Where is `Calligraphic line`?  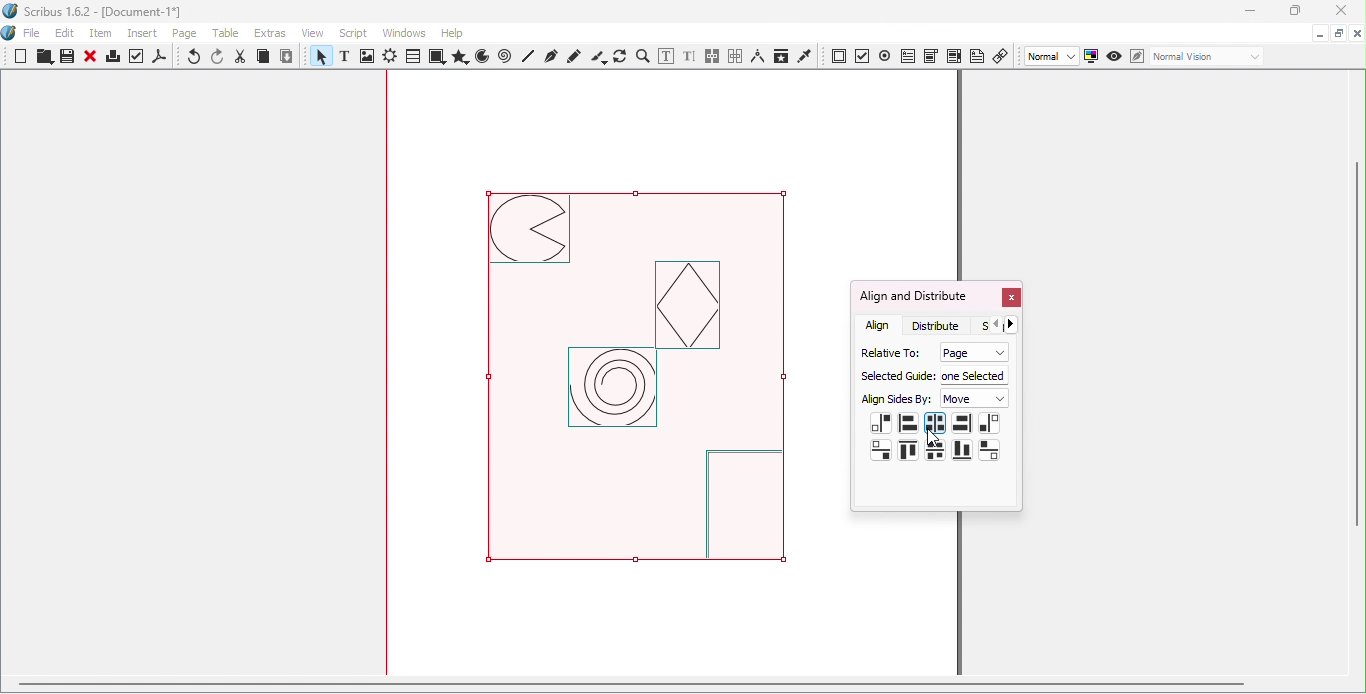
Calligraphic line is located at coordinates (598, 57).